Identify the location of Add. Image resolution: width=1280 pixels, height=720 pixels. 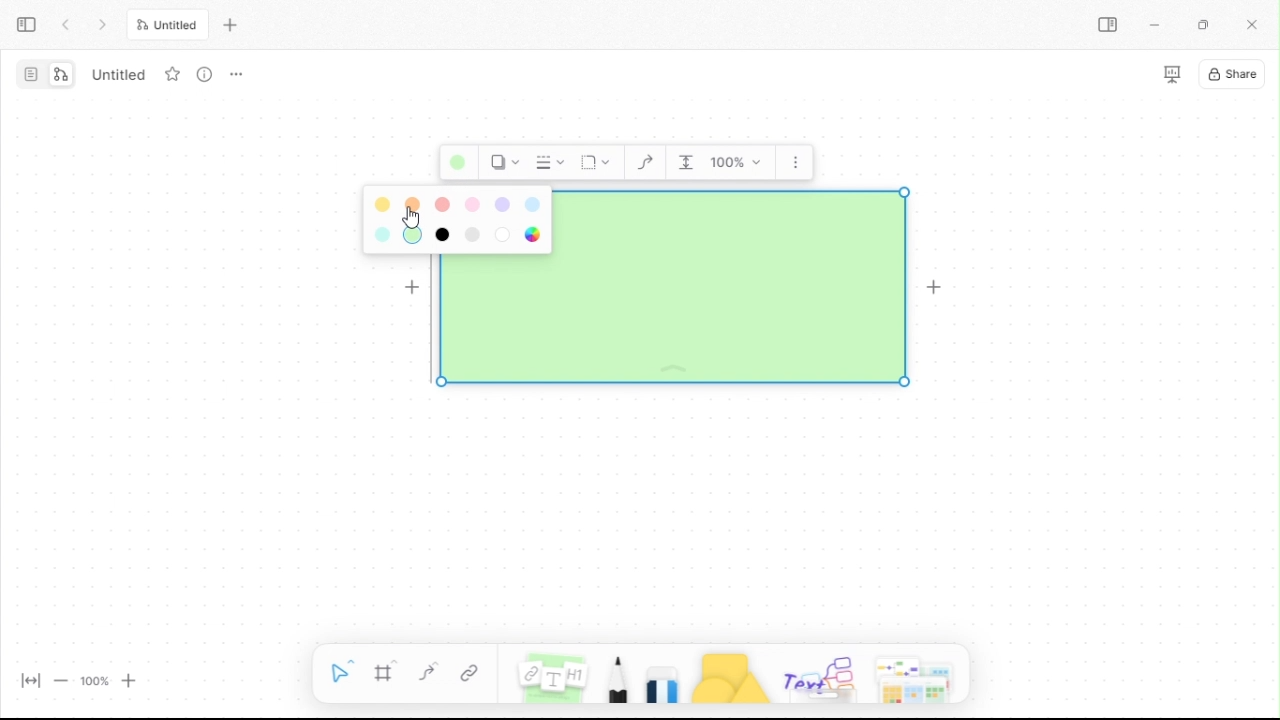
(939, 289).